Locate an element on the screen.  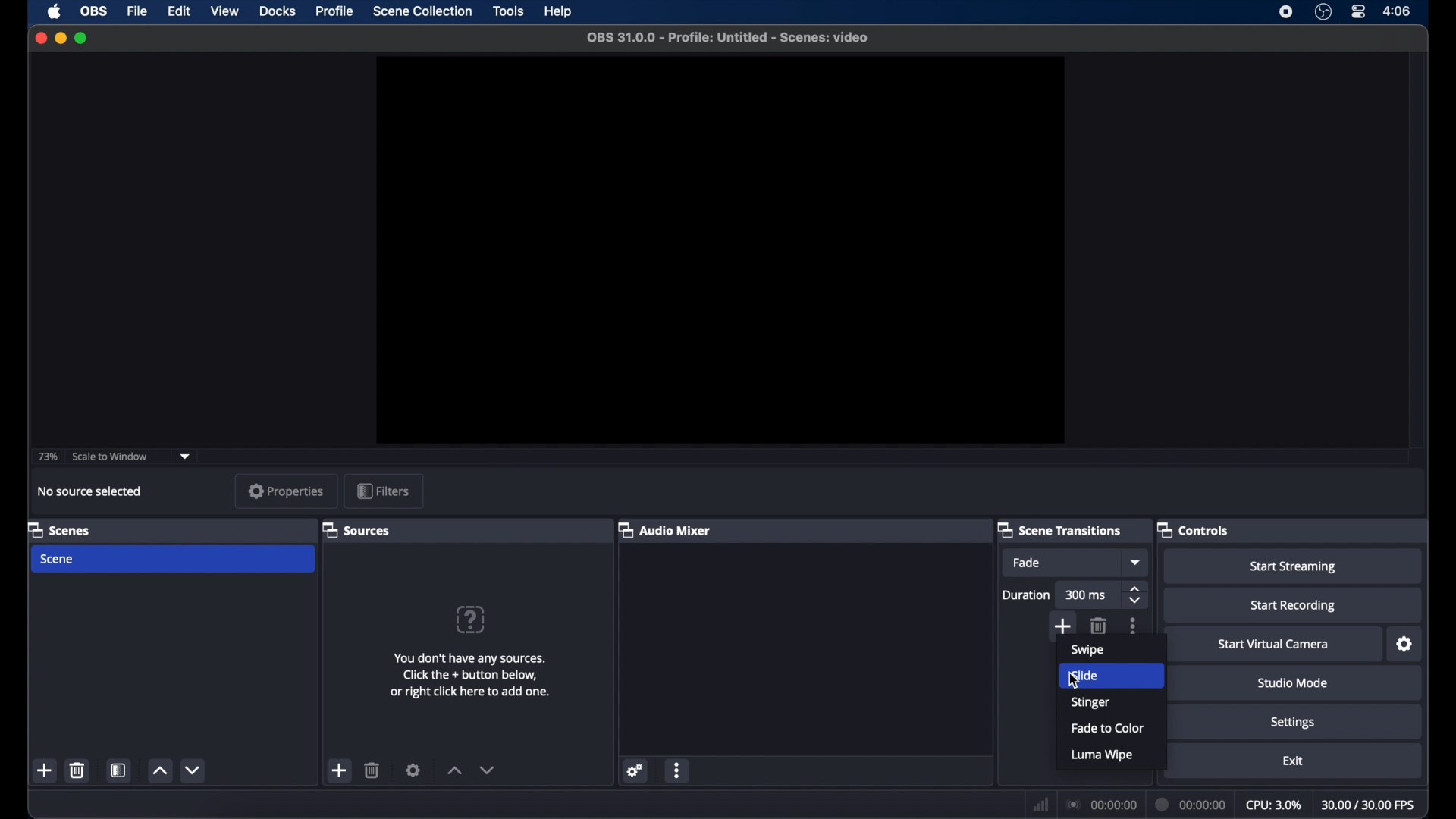
300 ms is located at coordinates (1086, 596).